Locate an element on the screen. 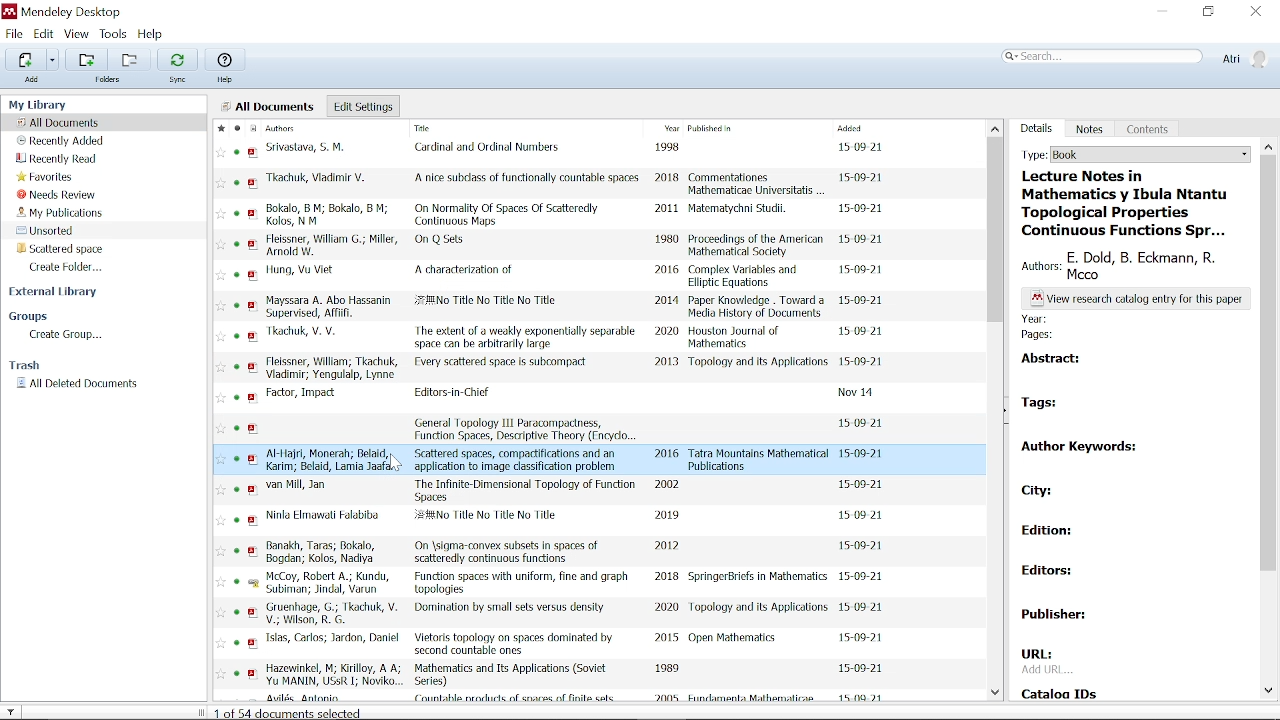 This screenshot has height=720, width=1280. Commentationes
Mathematicae Universitatis is located at coordinates (757, 182).